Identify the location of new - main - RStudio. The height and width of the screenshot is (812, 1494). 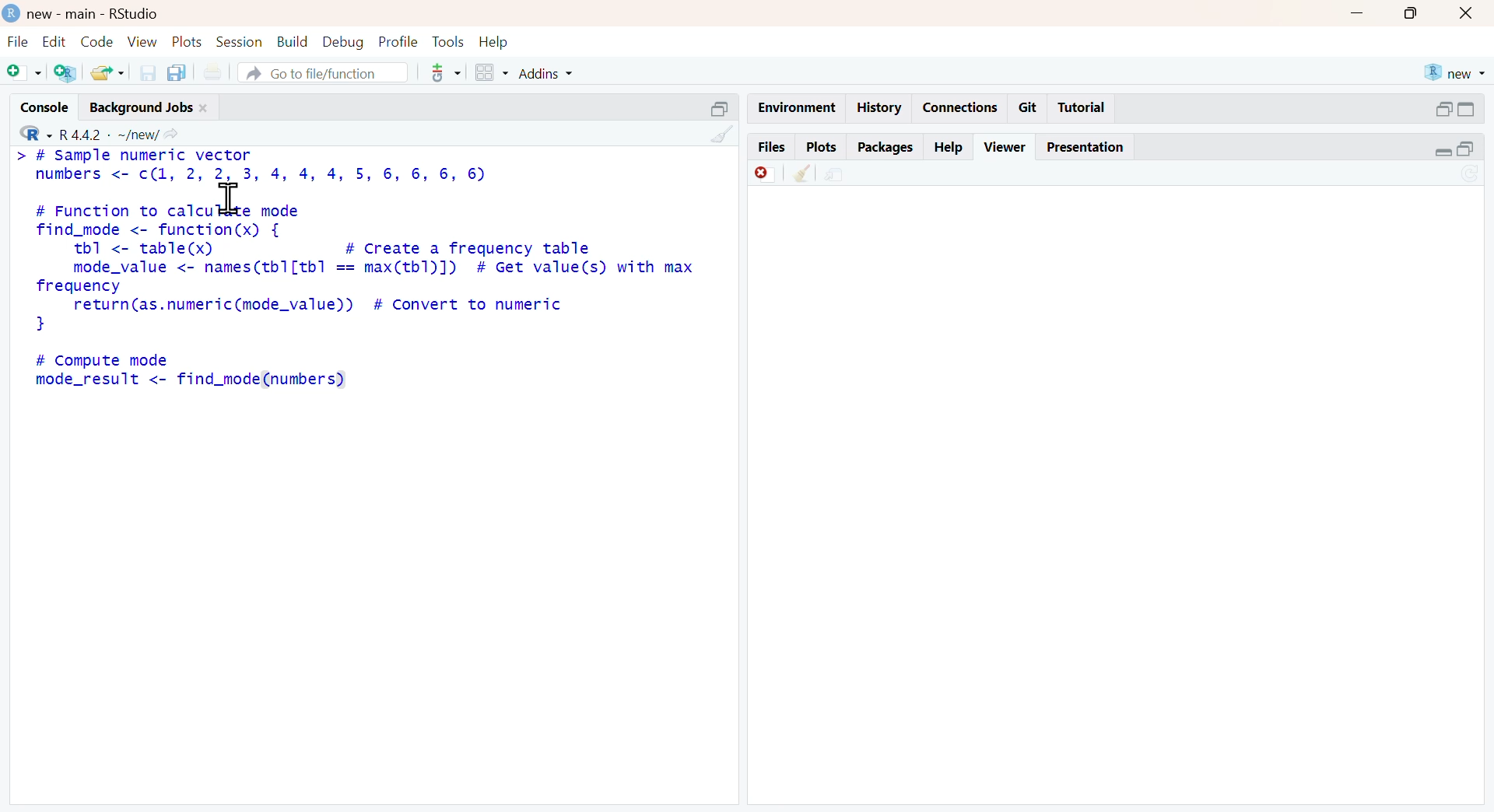
(96, 13).